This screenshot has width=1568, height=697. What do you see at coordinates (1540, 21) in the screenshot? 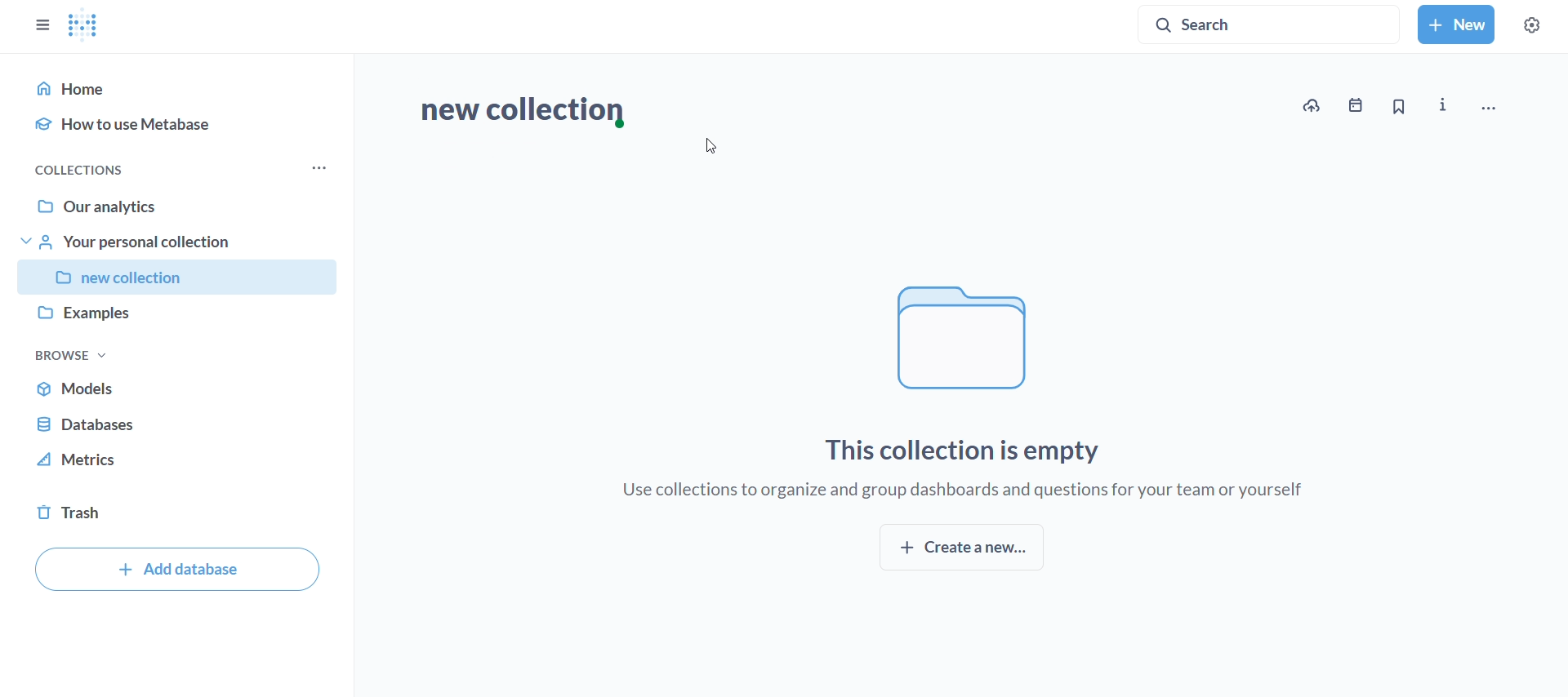
I see `settings` at bounding box center [1540, 21].